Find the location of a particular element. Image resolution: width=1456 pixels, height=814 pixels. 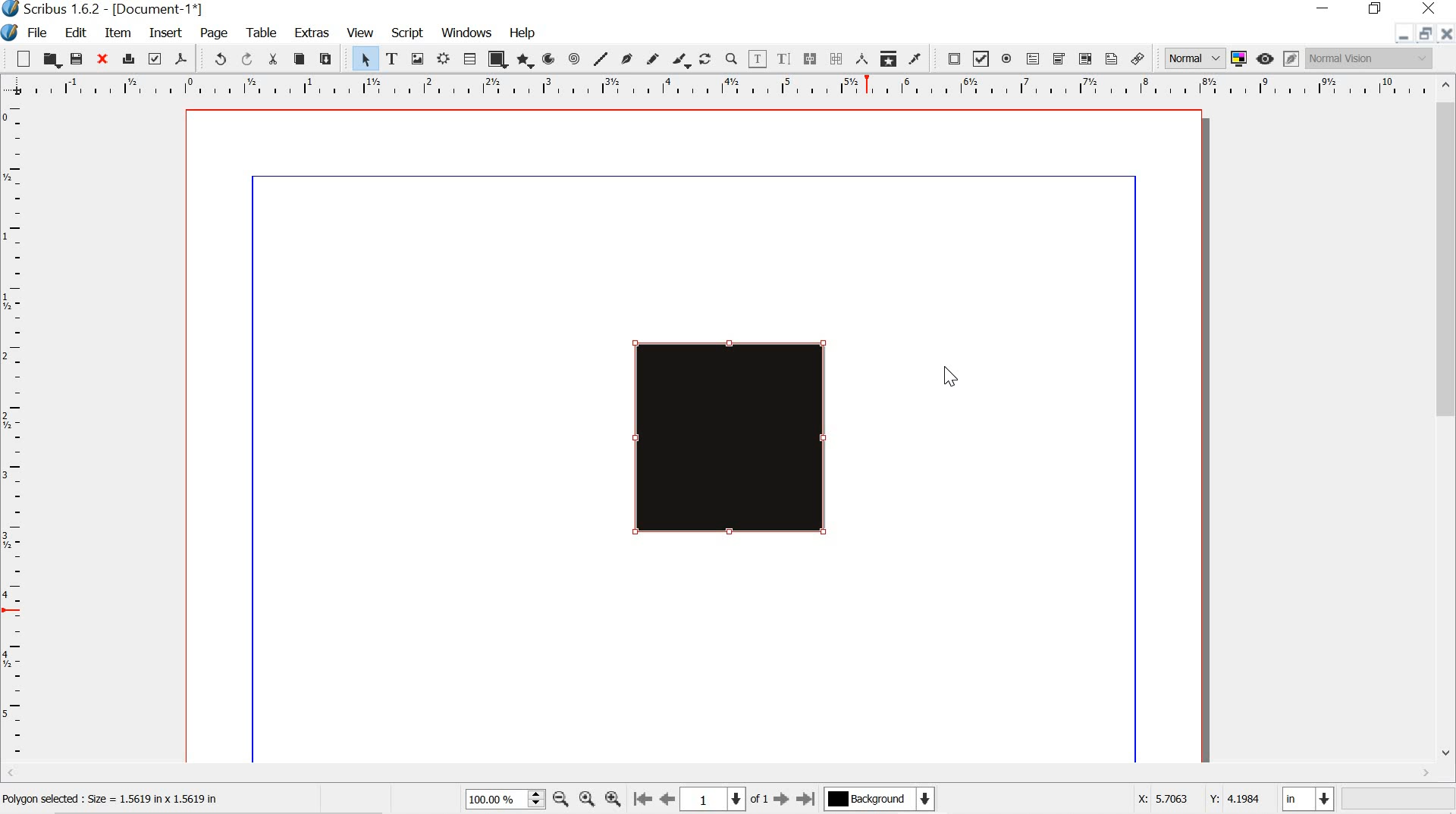

rotate item is located at coordinates (705, 58).